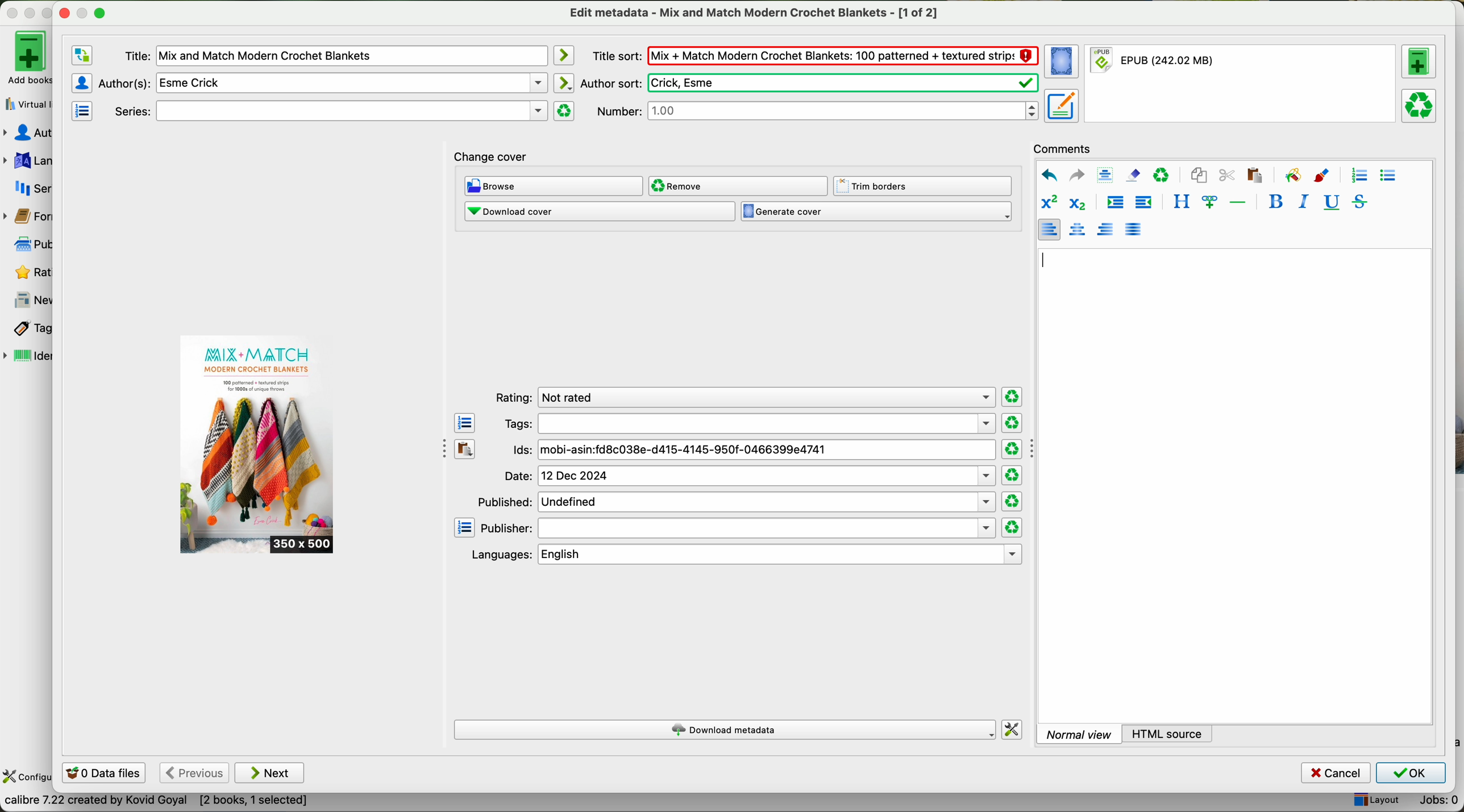  Describe the element at coordinates (926, 186) in the screenshot. I see `trim borders` at that location.